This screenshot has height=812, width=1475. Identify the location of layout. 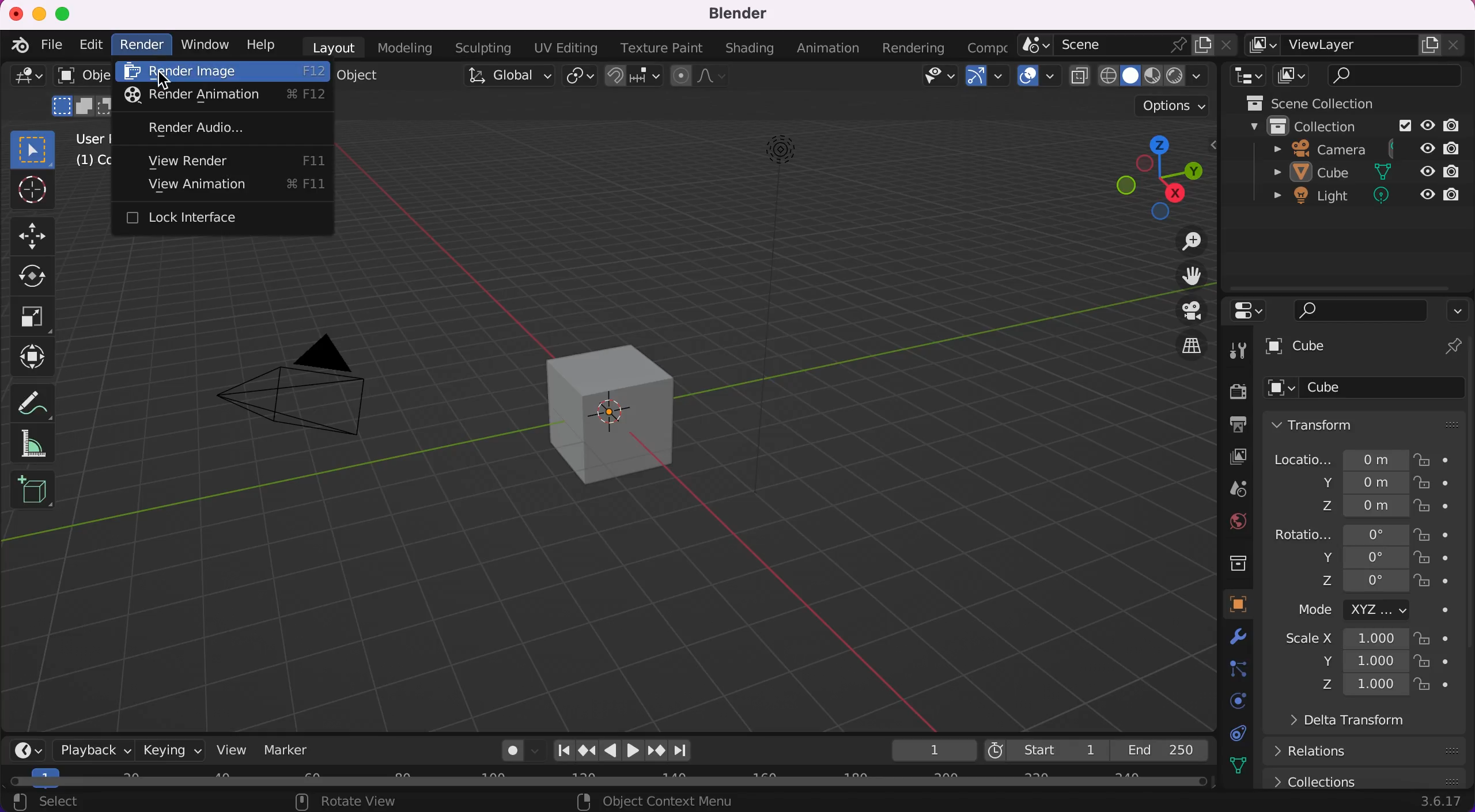
(330, 48).